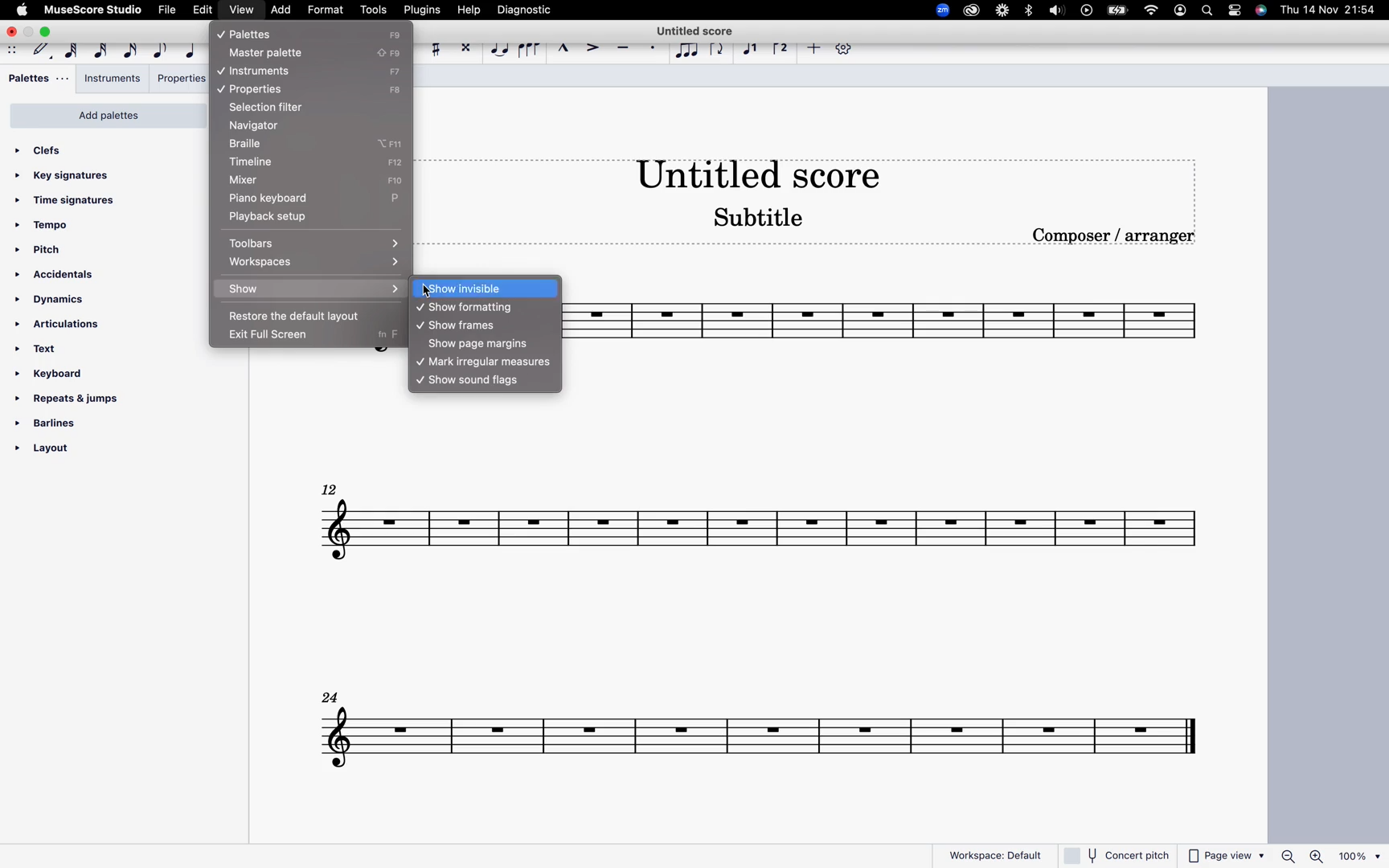 This screenshot has height=868, width=1389. Describe the element at coordinates (243, 9) in the screenshot. I see `view` at that location.